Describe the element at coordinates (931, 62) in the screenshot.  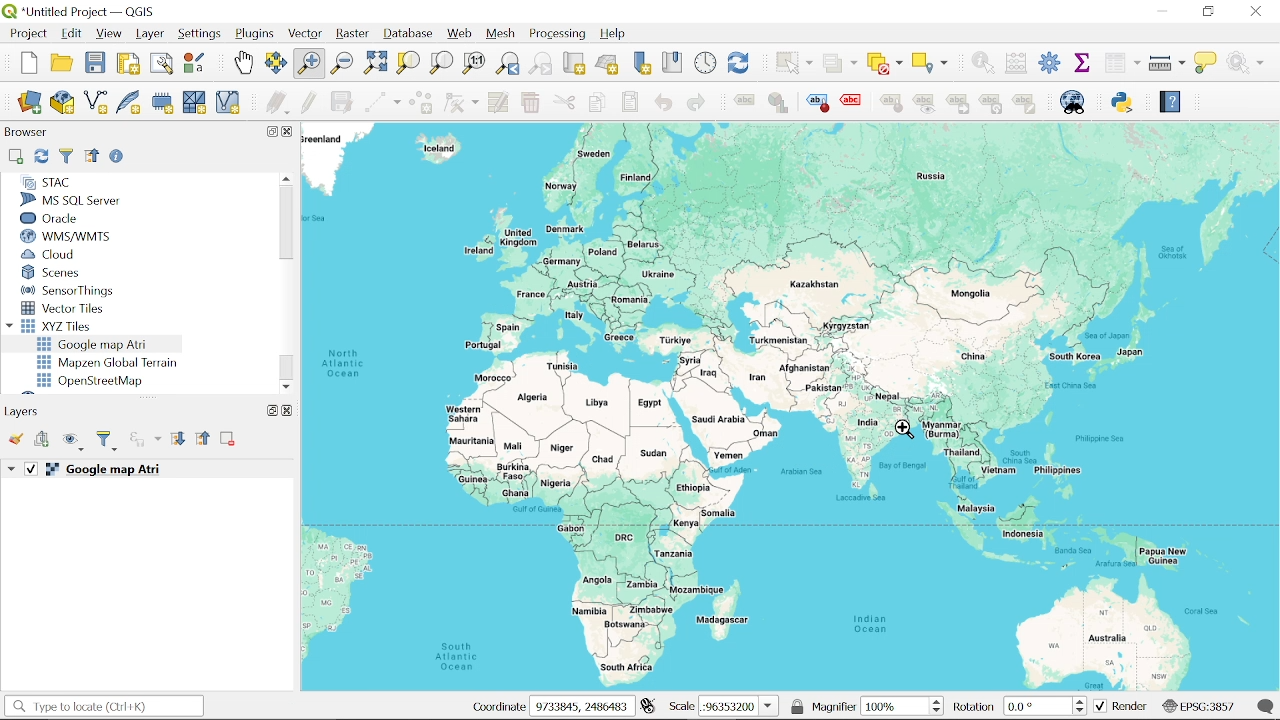
I see `Select layers by location` at that location.